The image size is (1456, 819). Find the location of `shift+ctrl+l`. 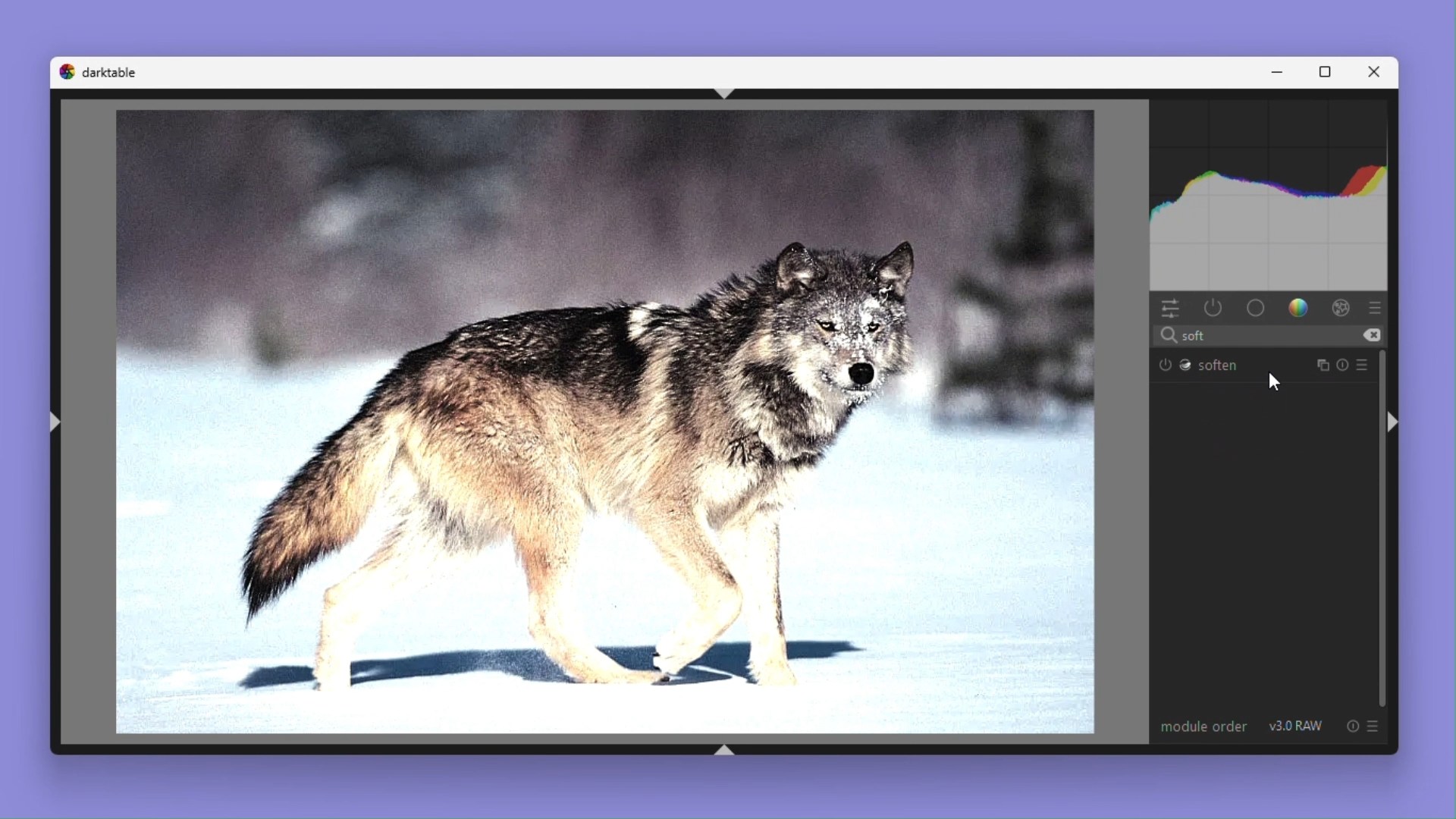

shift+ctrl+l is located at coordinates (56, 421).